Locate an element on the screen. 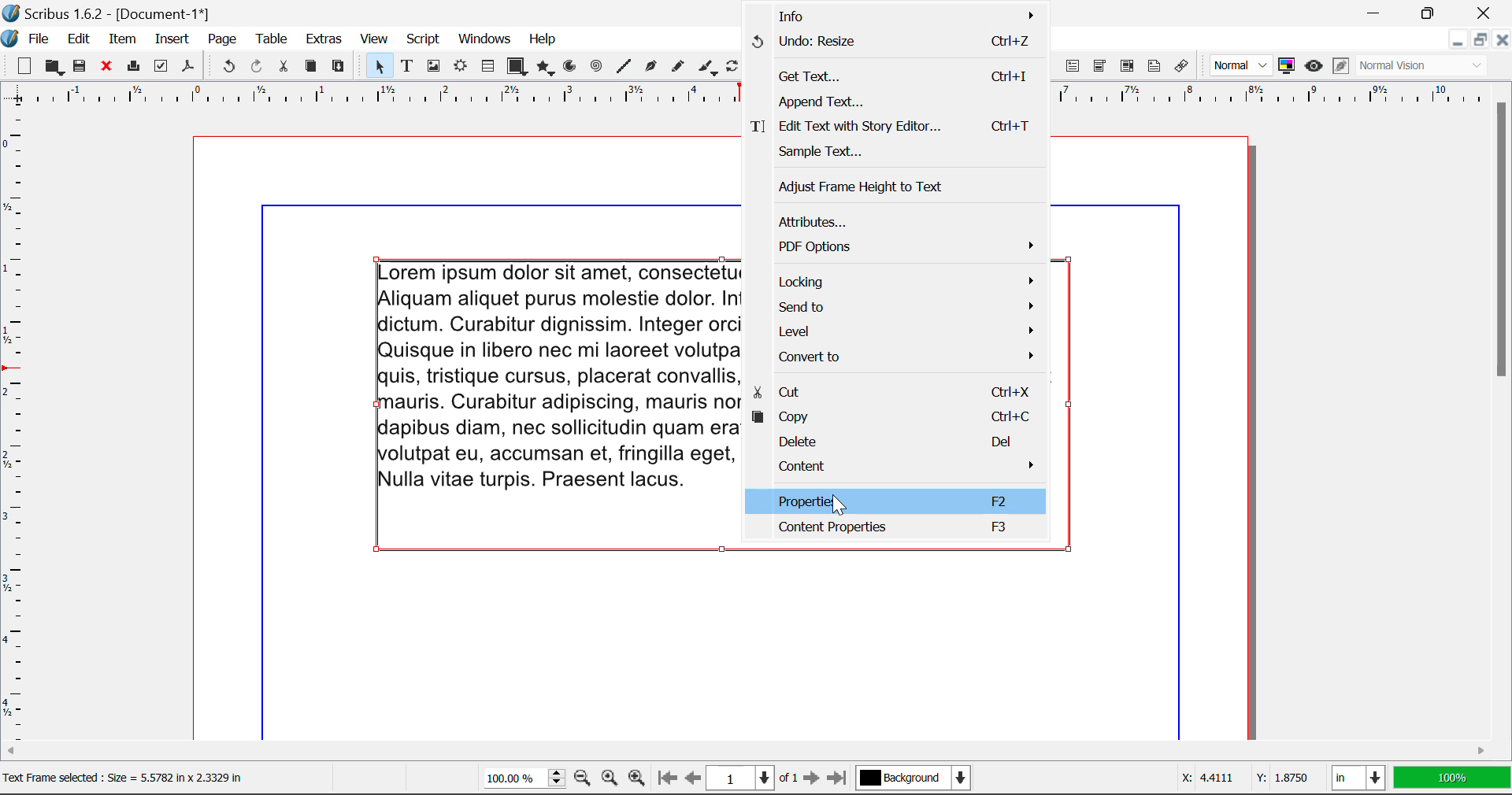 This screenshot has height=795, width=1512. Paste is located at coordinates (339, 67).